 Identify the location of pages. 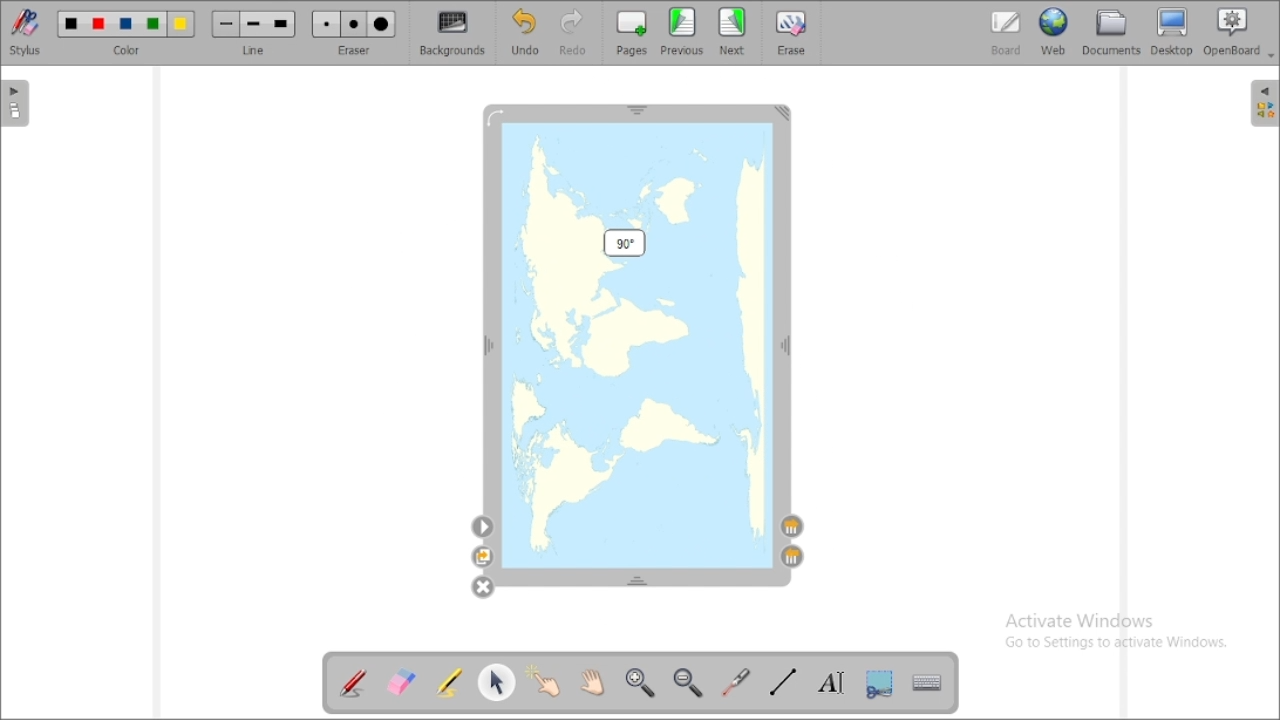
(632, 33).